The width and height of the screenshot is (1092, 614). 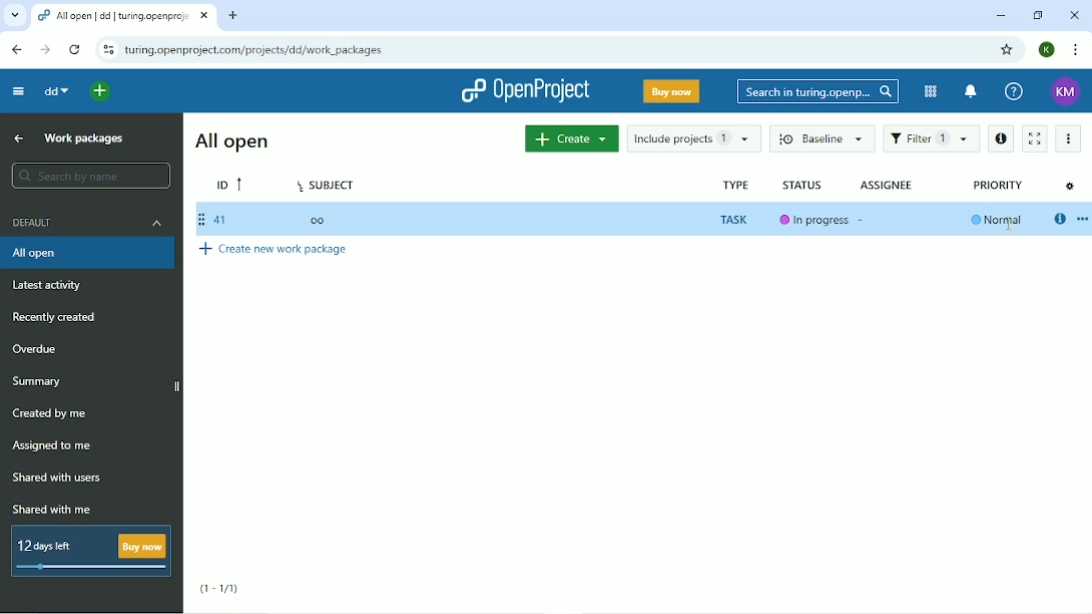 What do you see at coordinates (939, 141) in the screenshot?
I see `Filter 1` at bounding box center [939, 141].